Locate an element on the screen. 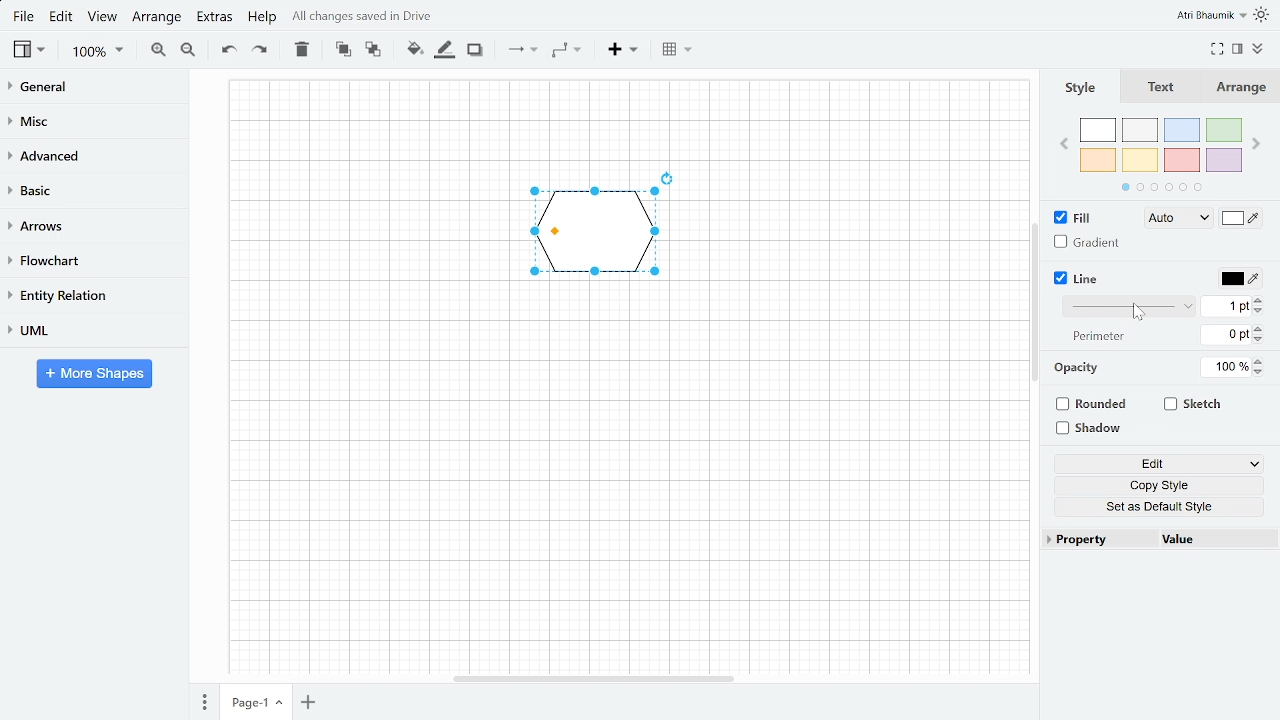 This screenshot has height=720, width=1280. Decrease line width is located at coordinates (1261, 312).